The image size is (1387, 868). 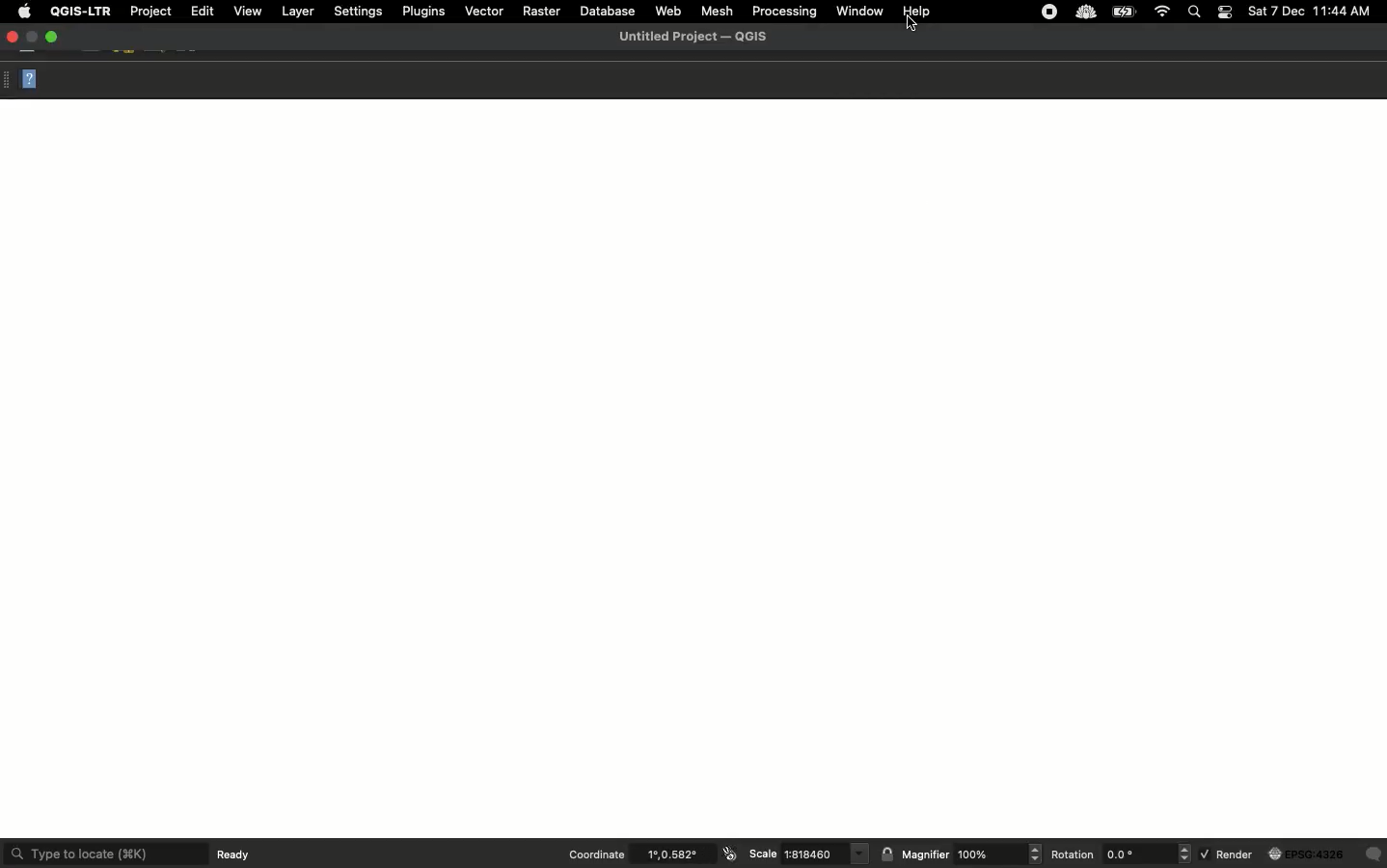 What do you see at coordinates (1119, 856) in the screenshot?
I see `Rotation` at bounding box center [1119, 856].